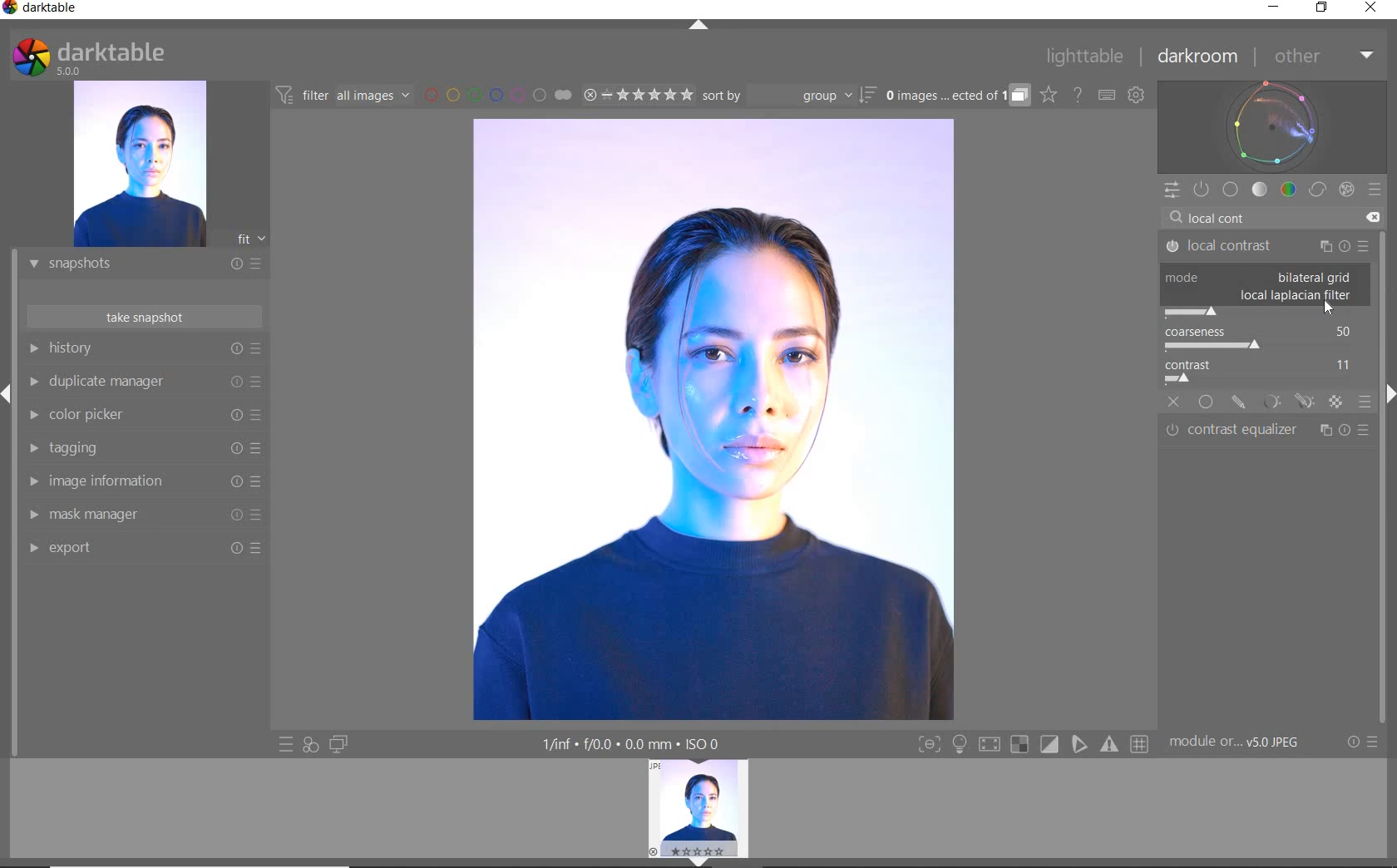 The image size is (1397, 868). I want to click on SELECTED IMAGE, so click(712, 417).